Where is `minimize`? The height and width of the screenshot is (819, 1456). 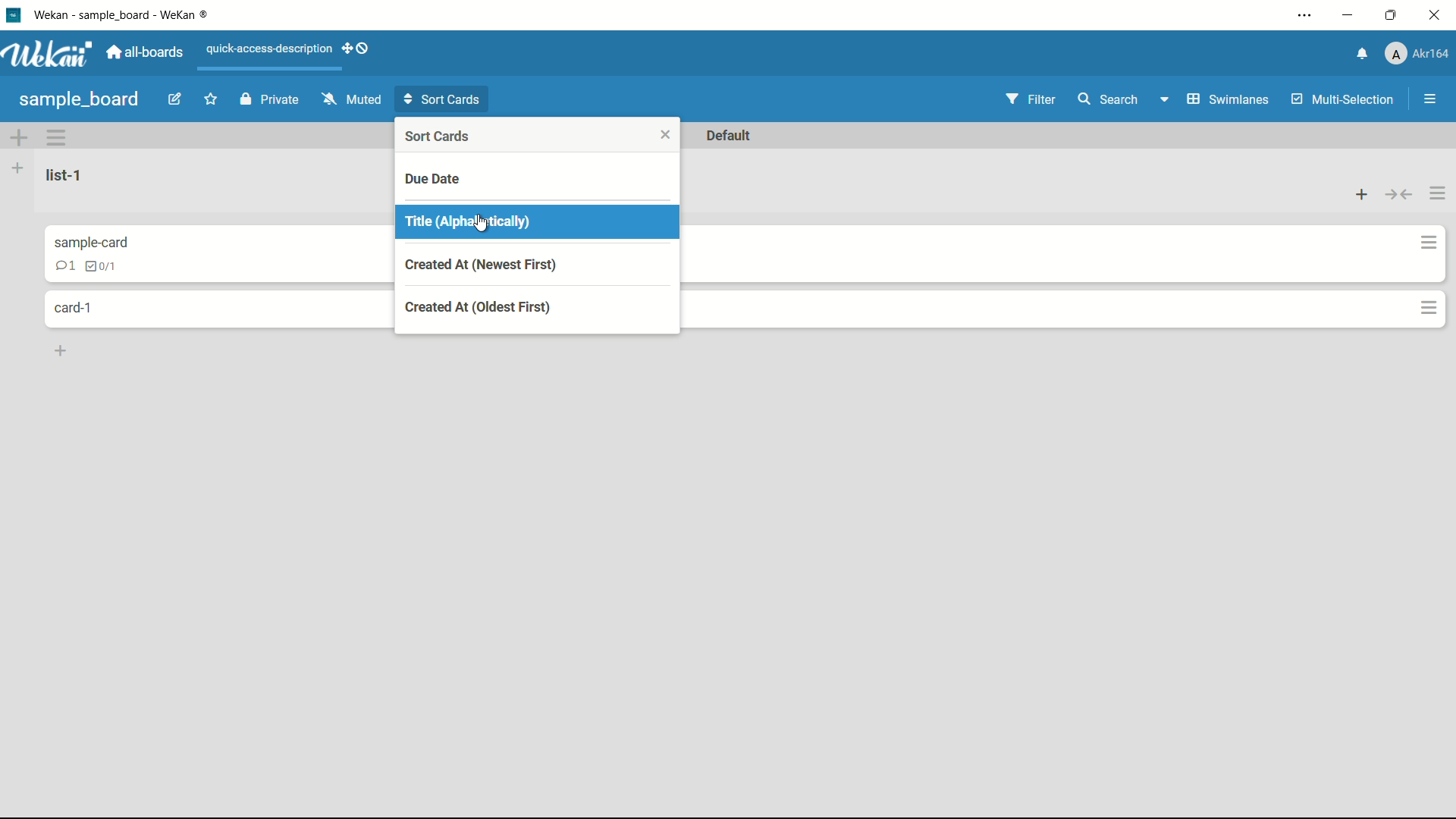 minimize is located at coordinates (1350, 15).